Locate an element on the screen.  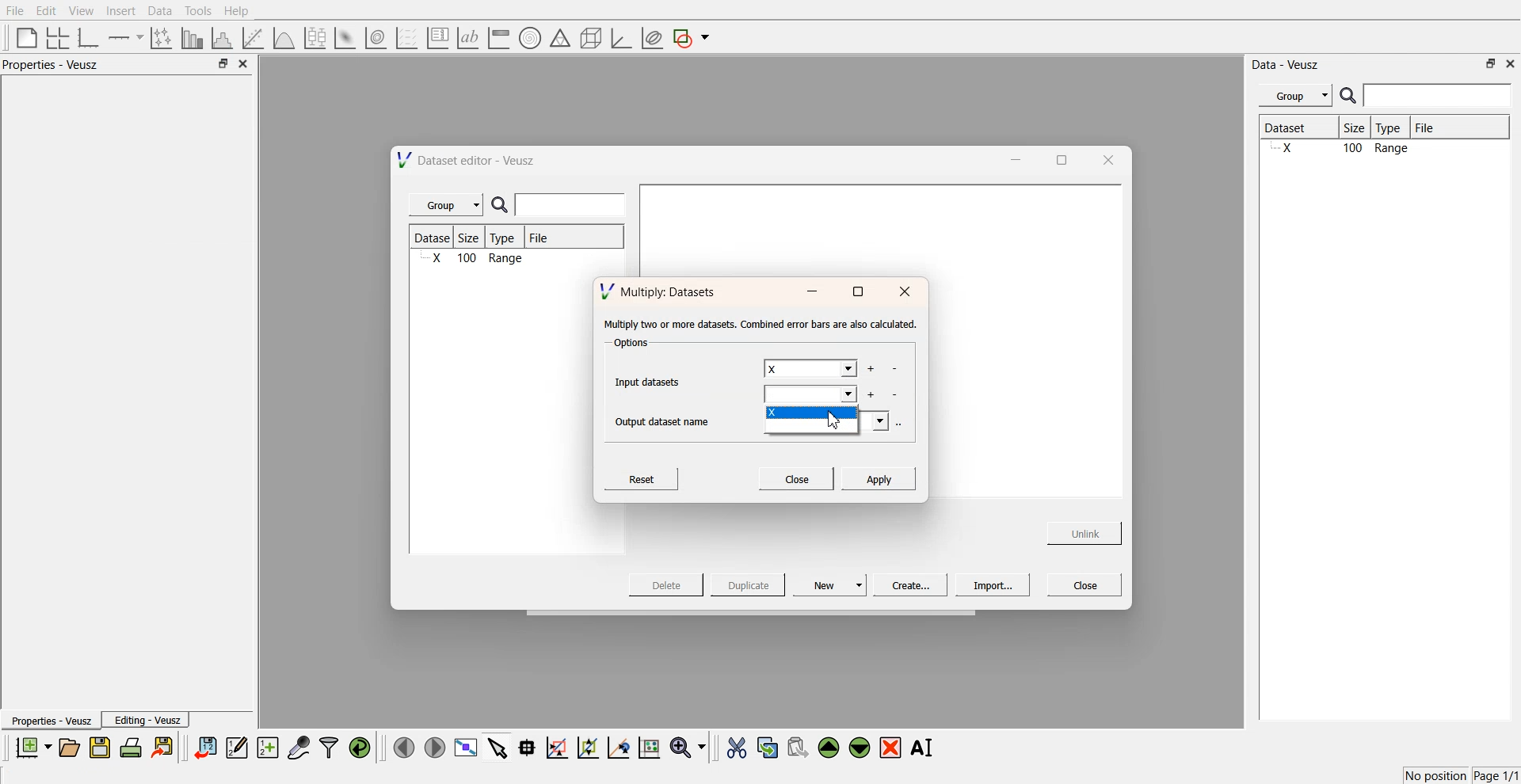
Insert is located at coordinates (119, 11).